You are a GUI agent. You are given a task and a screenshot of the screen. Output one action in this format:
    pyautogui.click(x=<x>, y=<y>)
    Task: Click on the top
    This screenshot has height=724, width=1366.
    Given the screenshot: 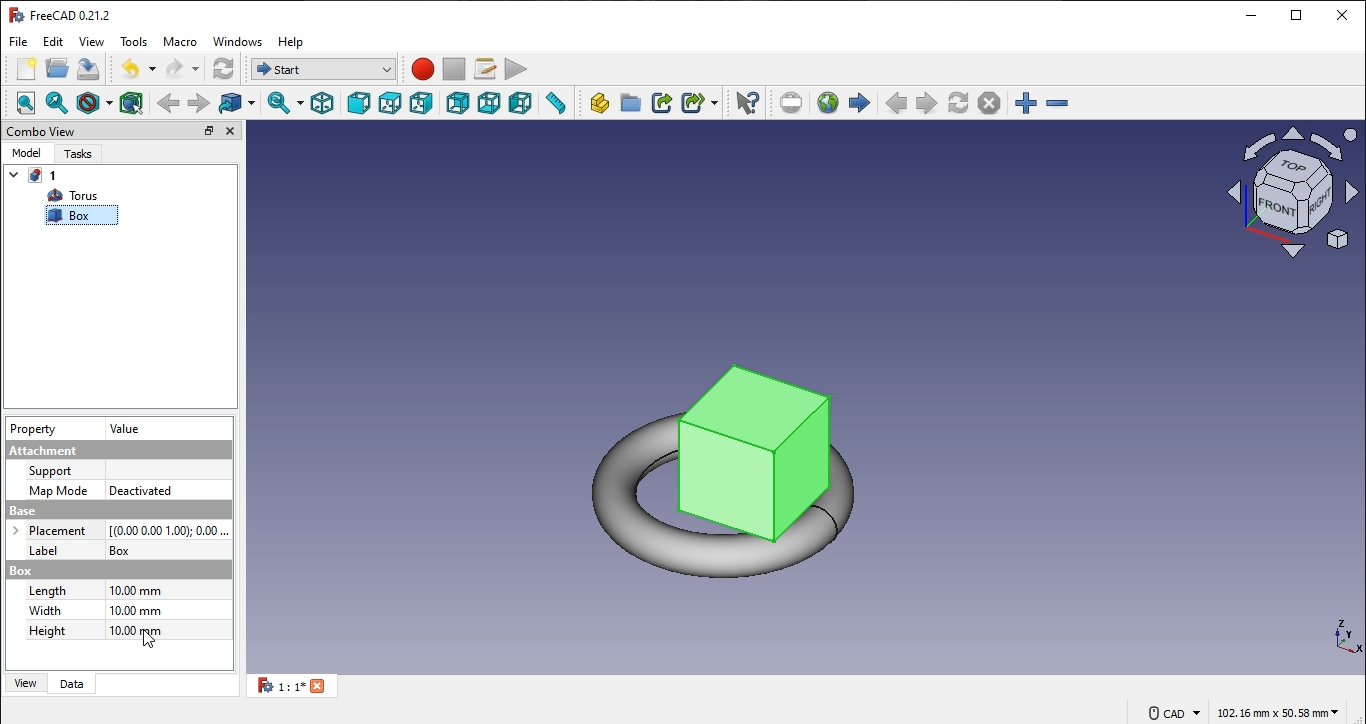 What is the action you would take?
    pyautogui.click(x=391, y=104)
    